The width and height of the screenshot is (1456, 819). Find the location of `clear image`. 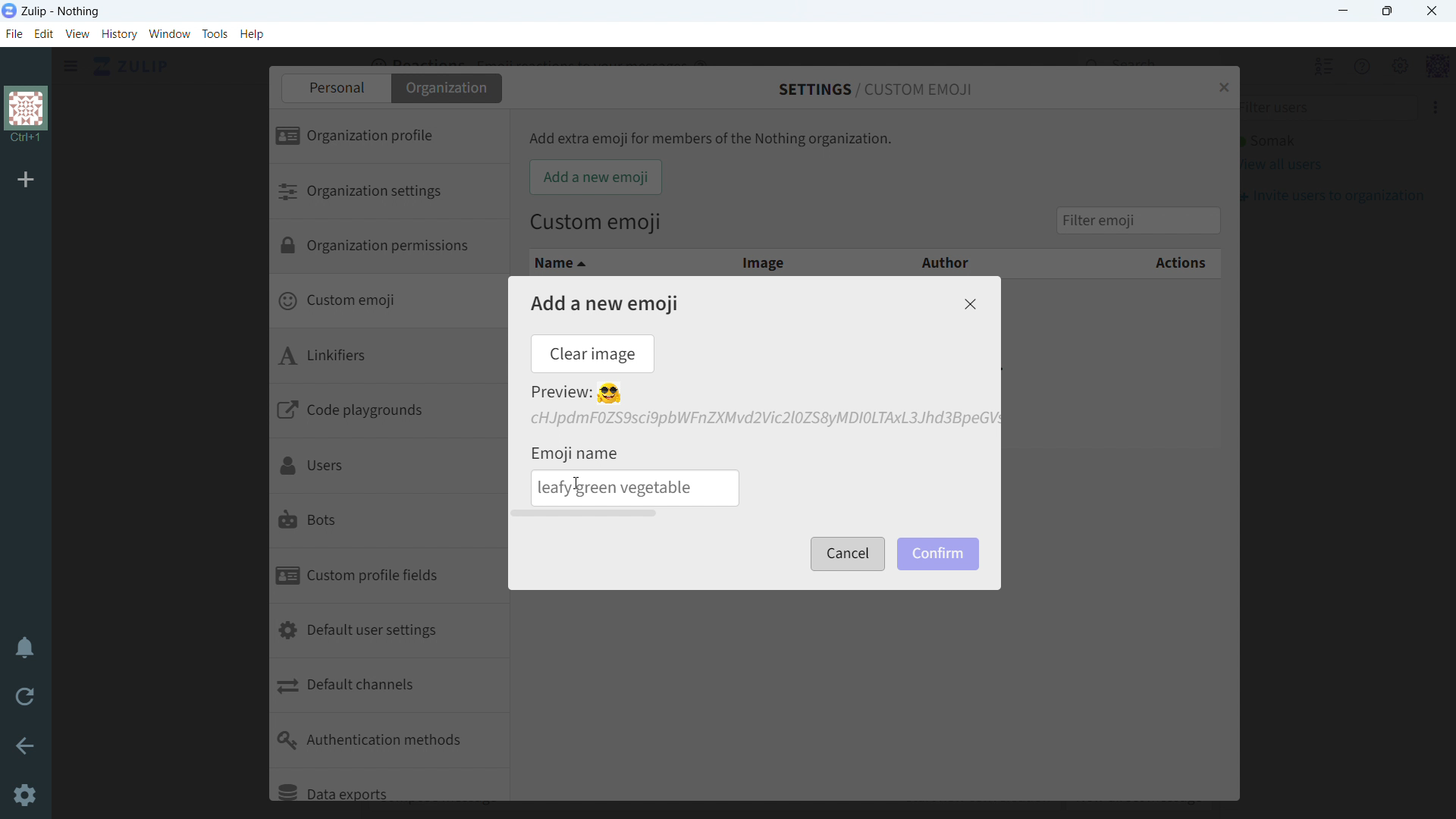

clear image is located at coordinates (591, 353).